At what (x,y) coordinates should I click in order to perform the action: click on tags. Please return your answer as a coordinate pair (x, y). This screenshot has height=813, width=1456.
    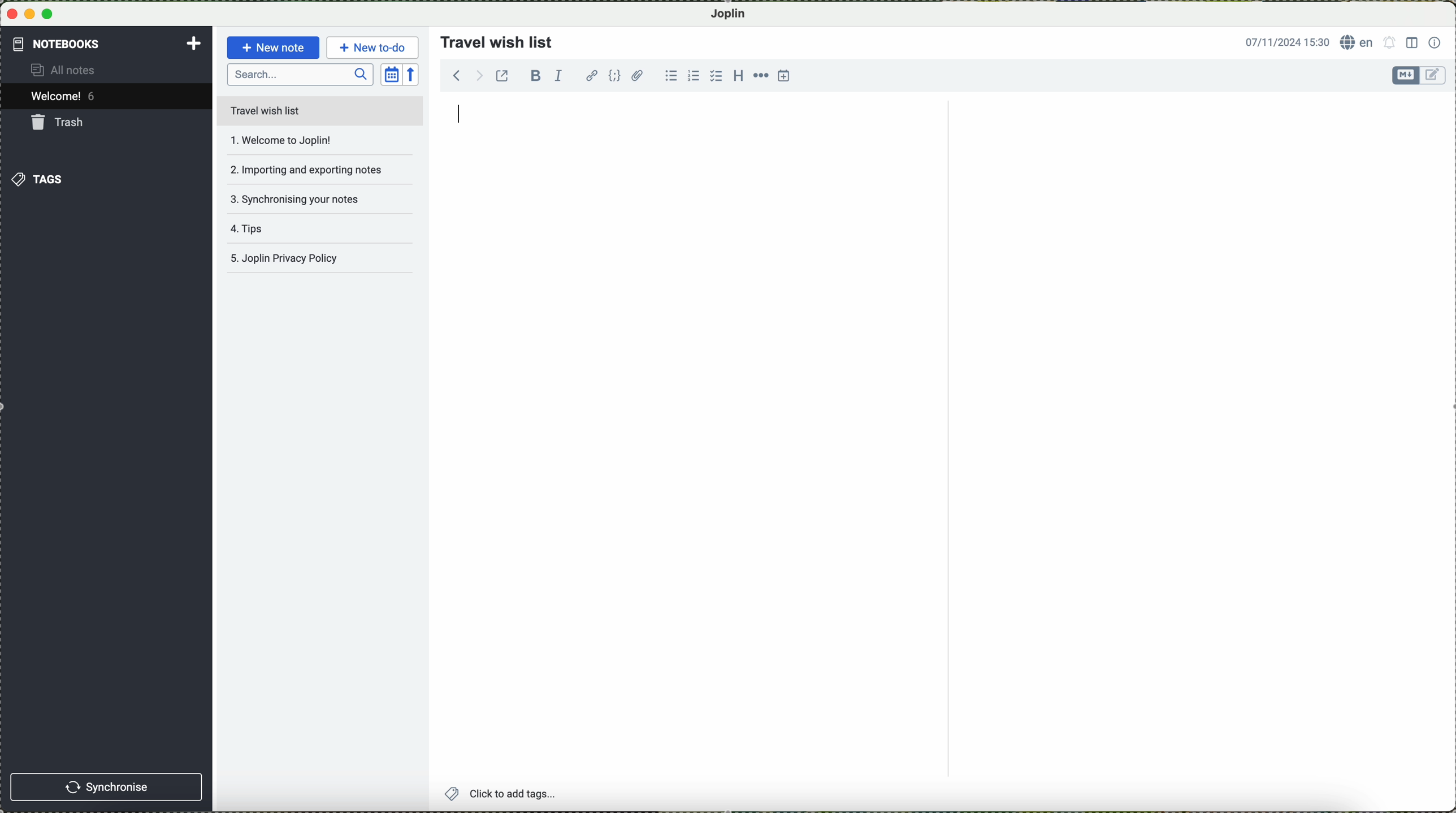
    Looking at the image, I should click on (39, 179).